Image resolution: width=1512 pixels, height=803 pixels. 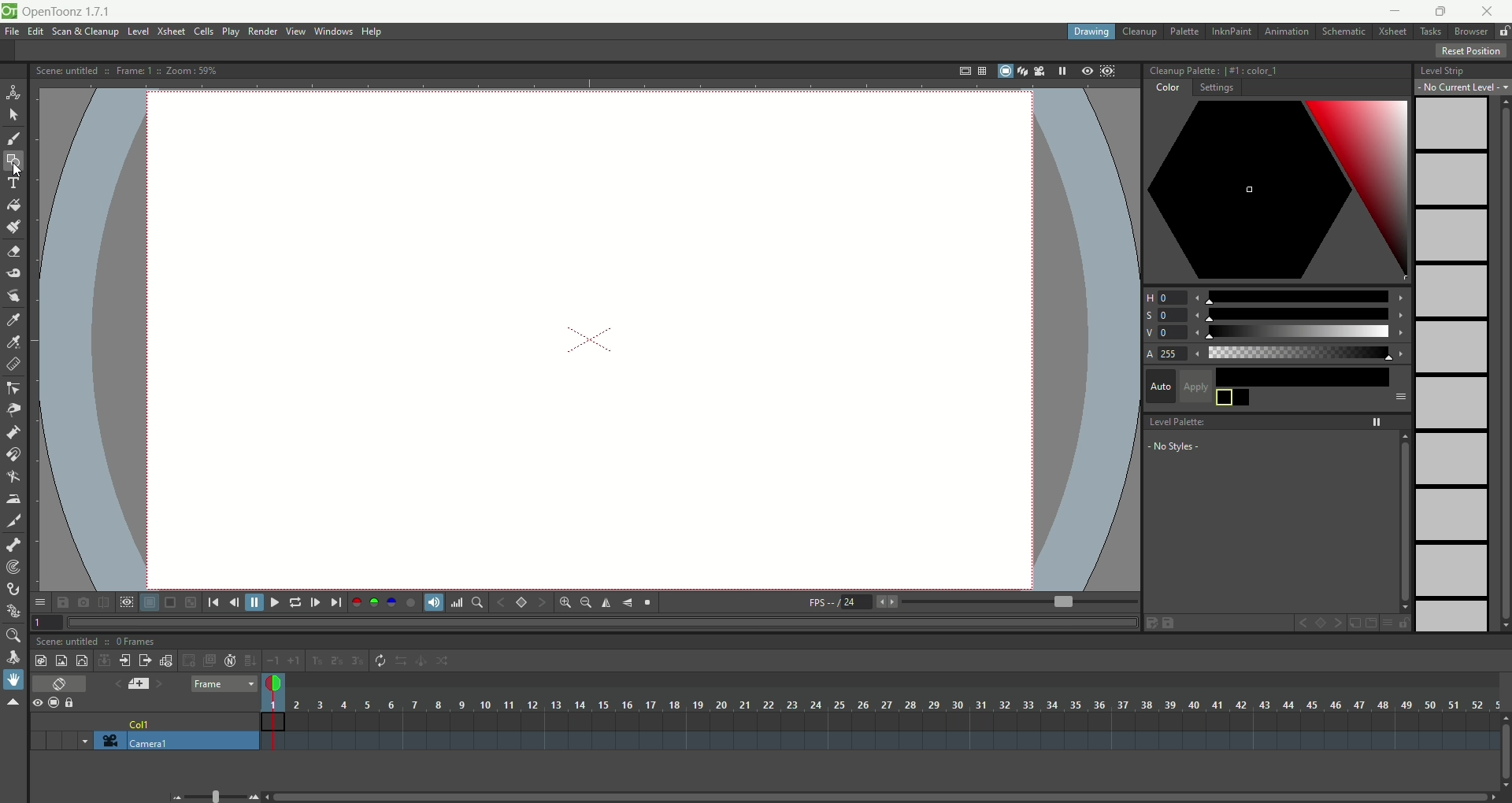 I want to click on finger tool, so click(x=13, y=294).